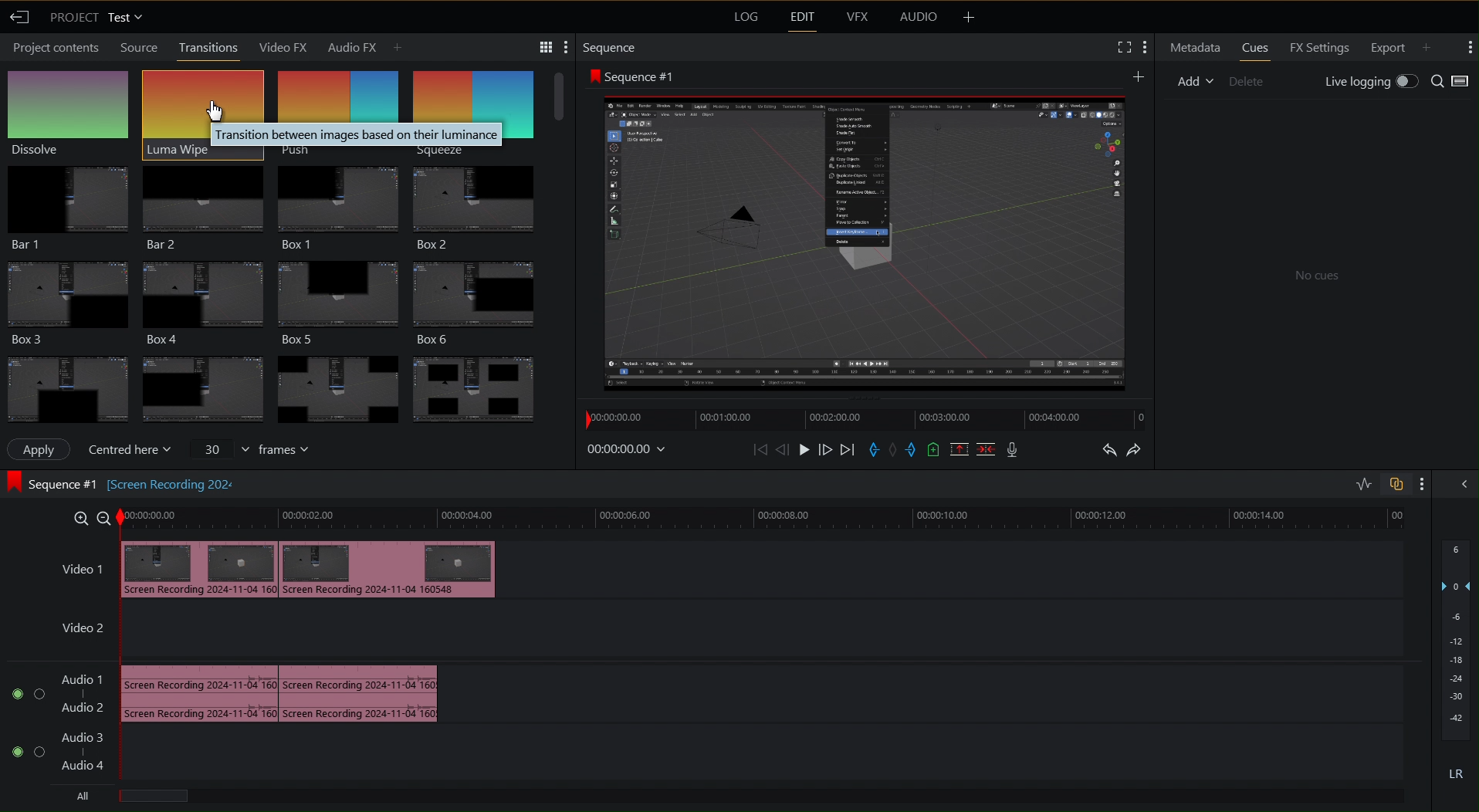  Describe the element at coordinates (1464, 486) in the screenshot. I see `Collapse` at that location.